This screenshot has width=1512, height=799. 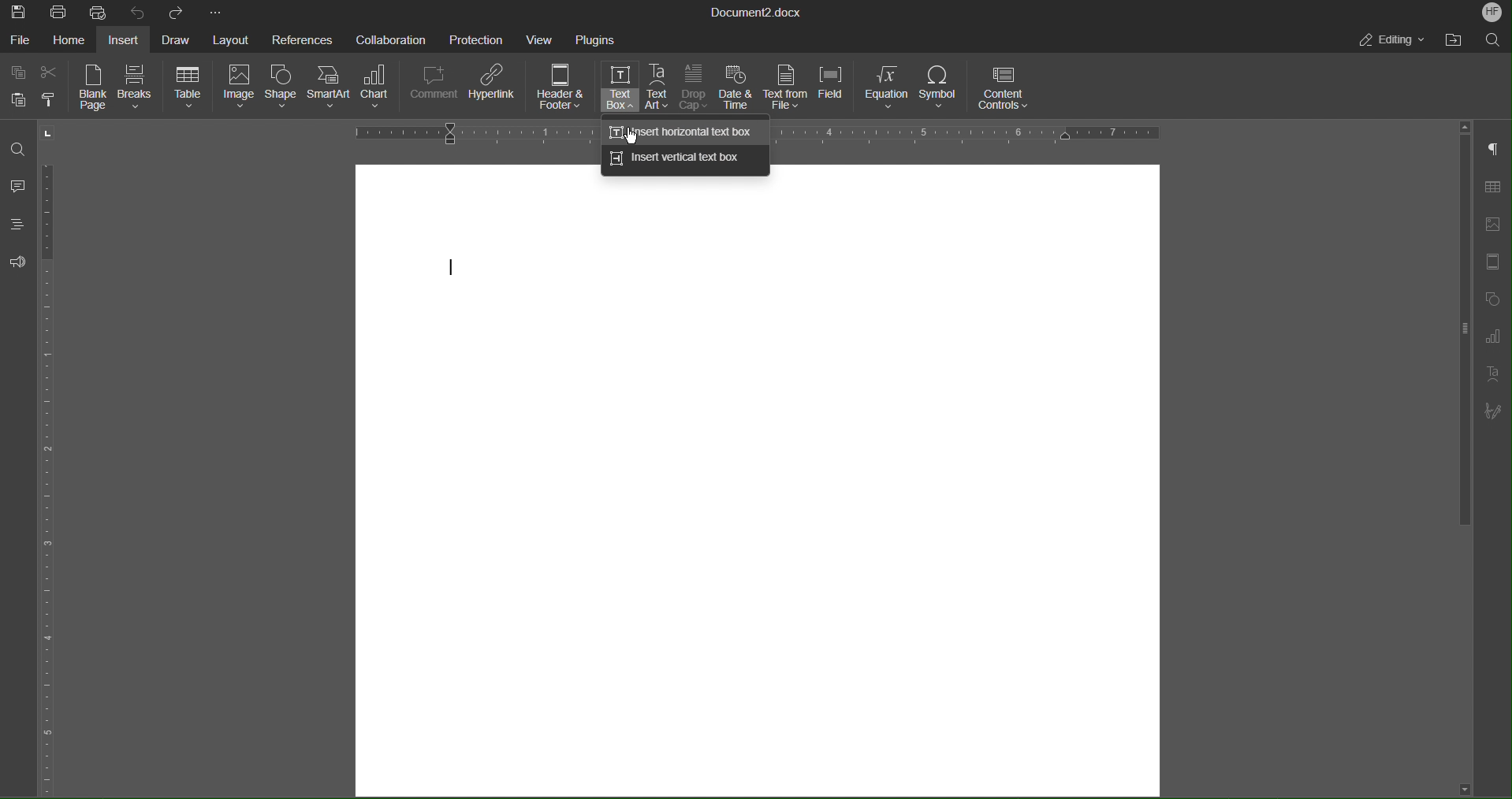 I want to click on More, so click(x=216, y=11).